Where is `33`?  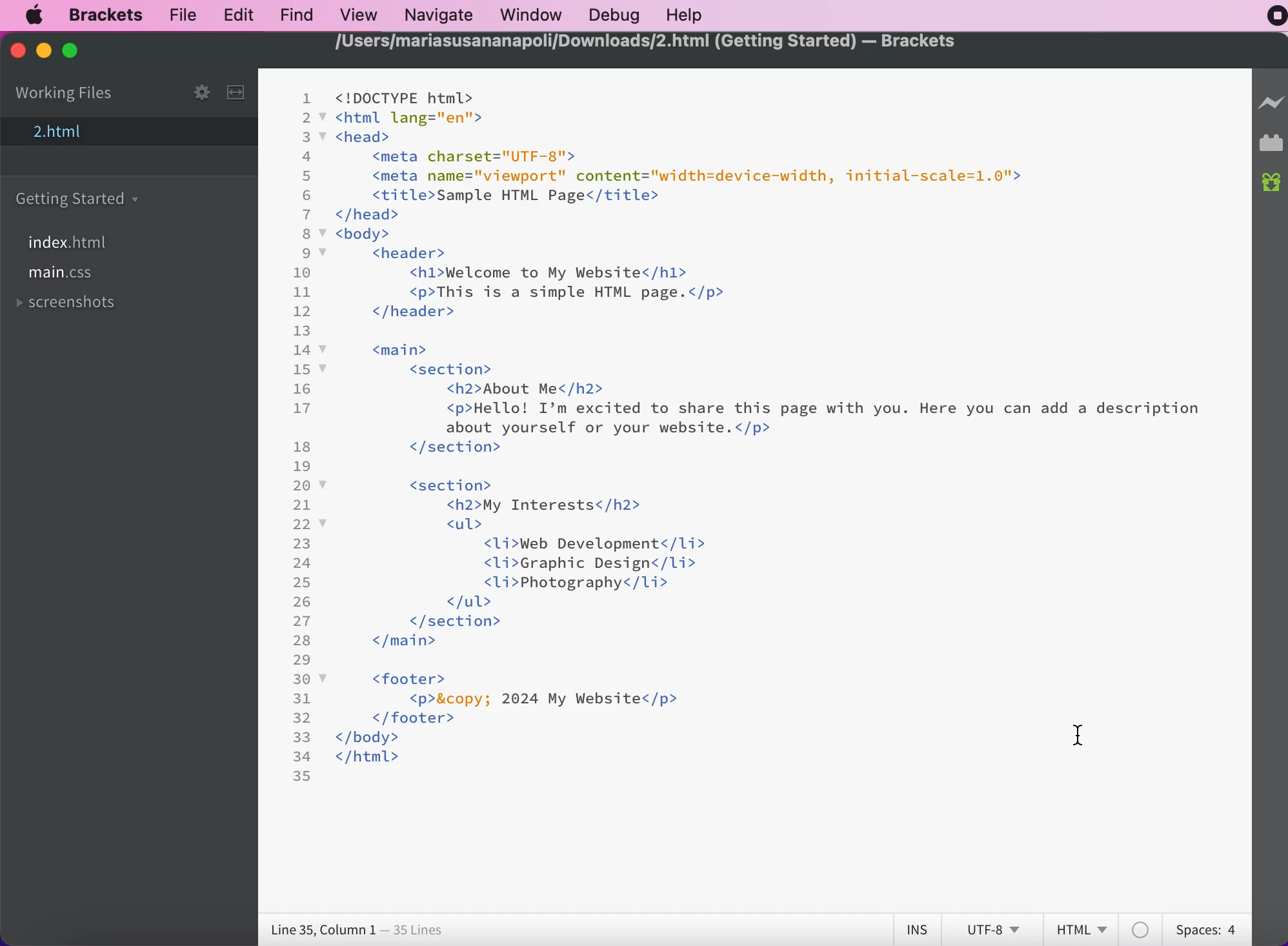 33 is located at coordinates (302, 737).